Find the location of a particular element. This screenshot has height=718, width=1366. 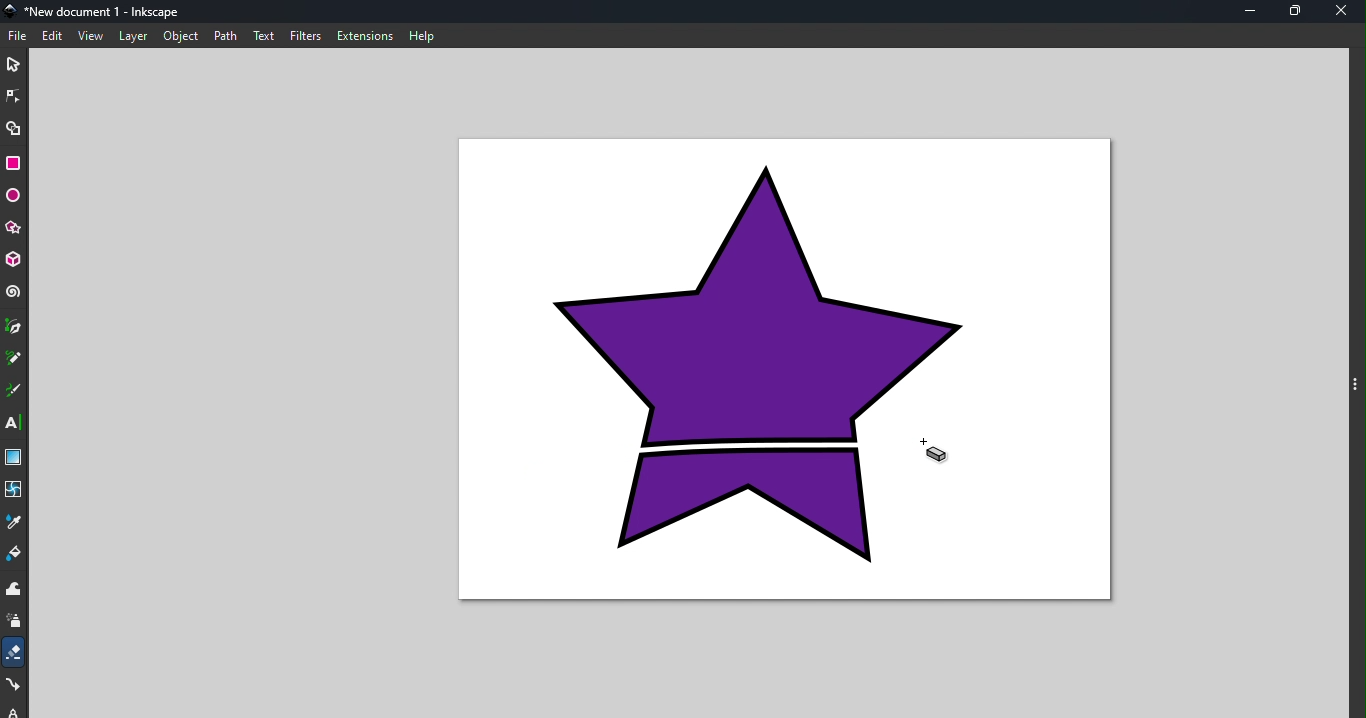

text is located at coordinates (265, 35).